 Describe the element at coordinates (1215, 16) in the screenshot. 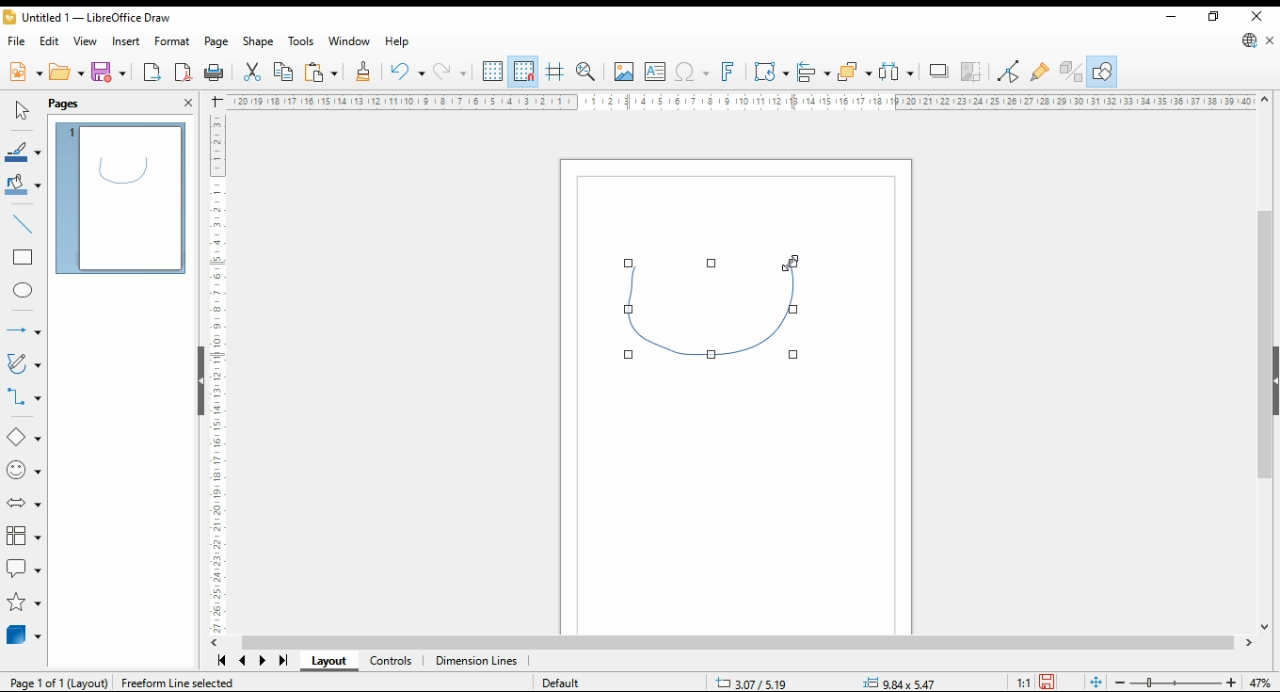

I see `restore` at that location.